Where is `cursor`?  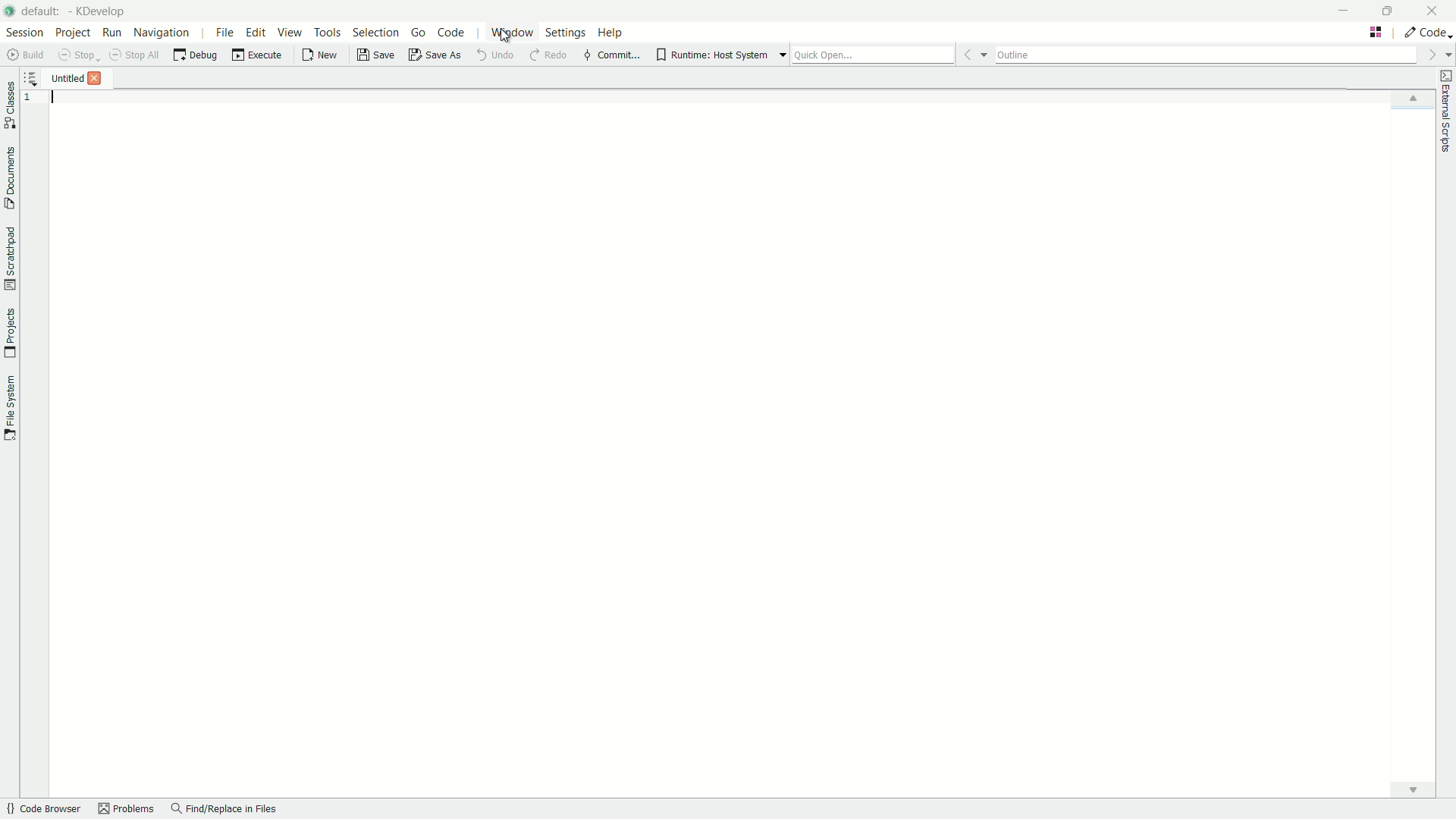 cursor is located at coordinates (505, 36).